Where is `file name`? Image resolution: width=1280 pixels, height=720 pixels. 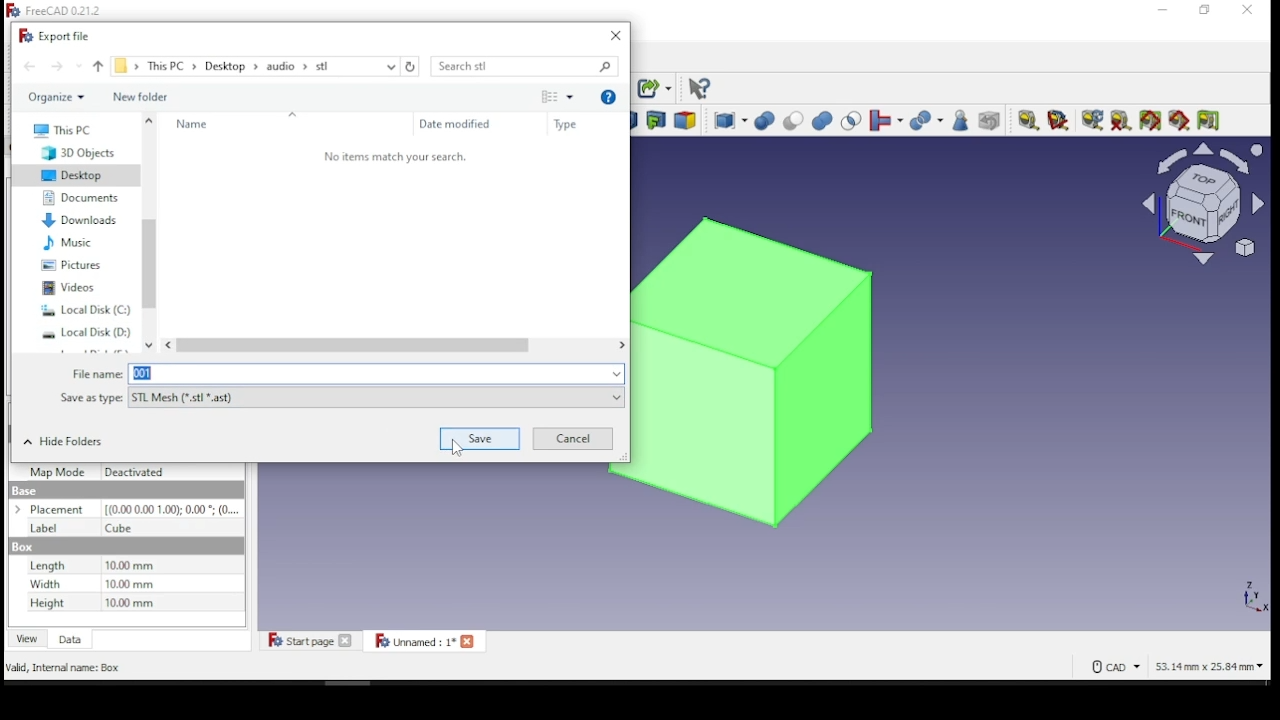 file name is located at coordinates (347, 371).